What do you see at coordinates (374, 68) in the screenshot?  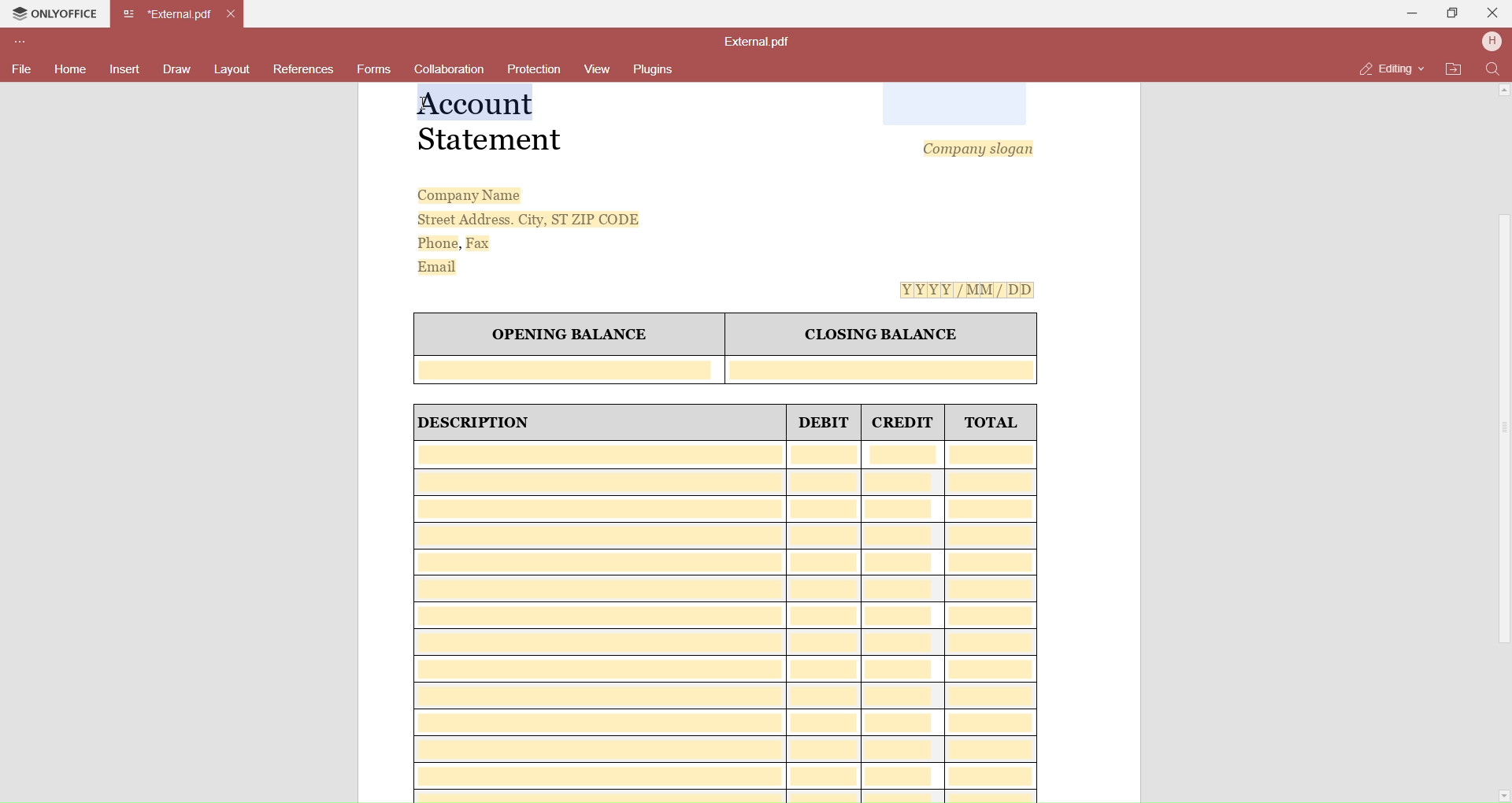 I see `Forms` at bounding box center [374, 68].